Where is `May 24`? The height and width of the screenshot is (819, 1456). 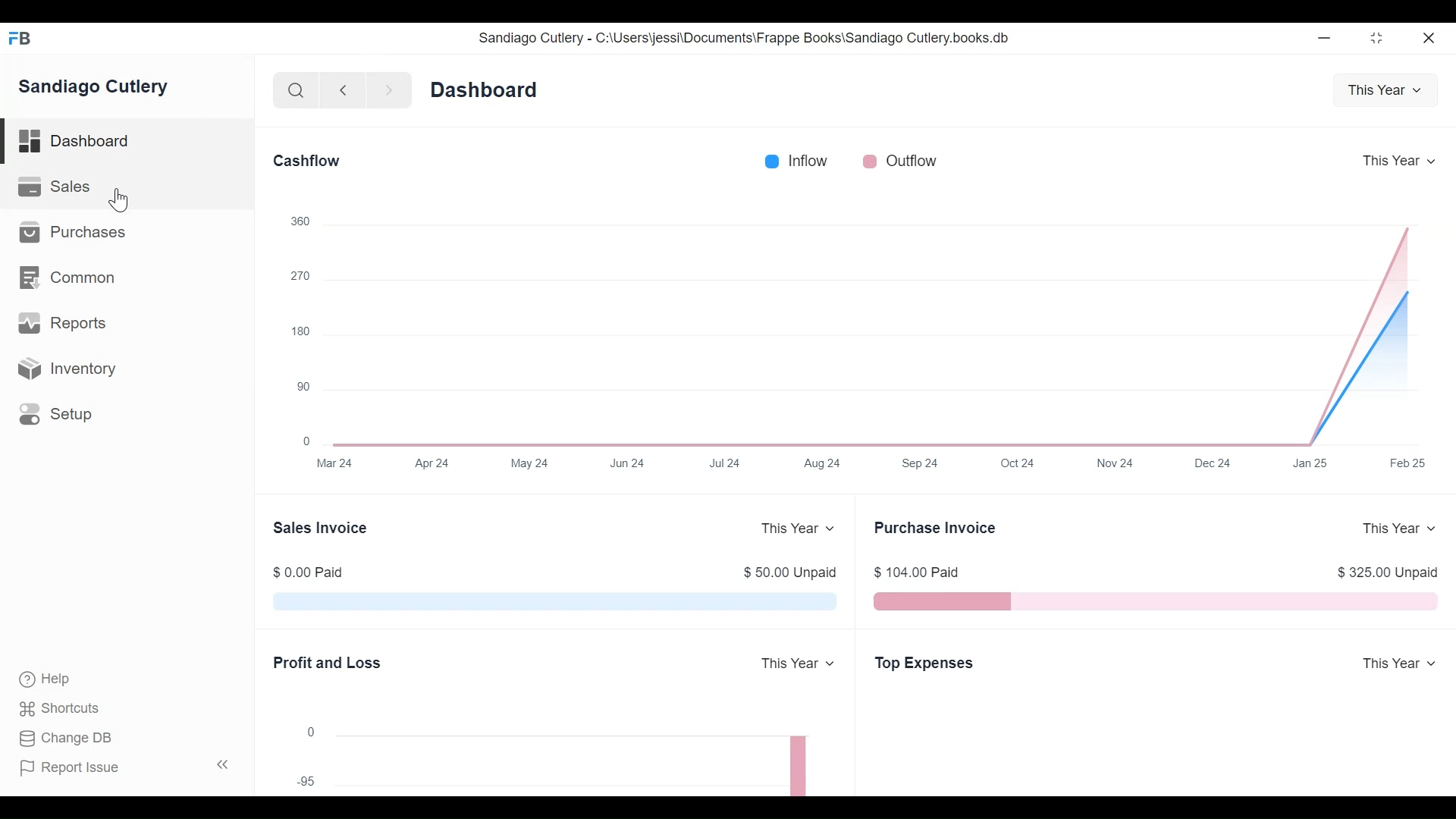 May 24 is located at coordinates (531, 464).